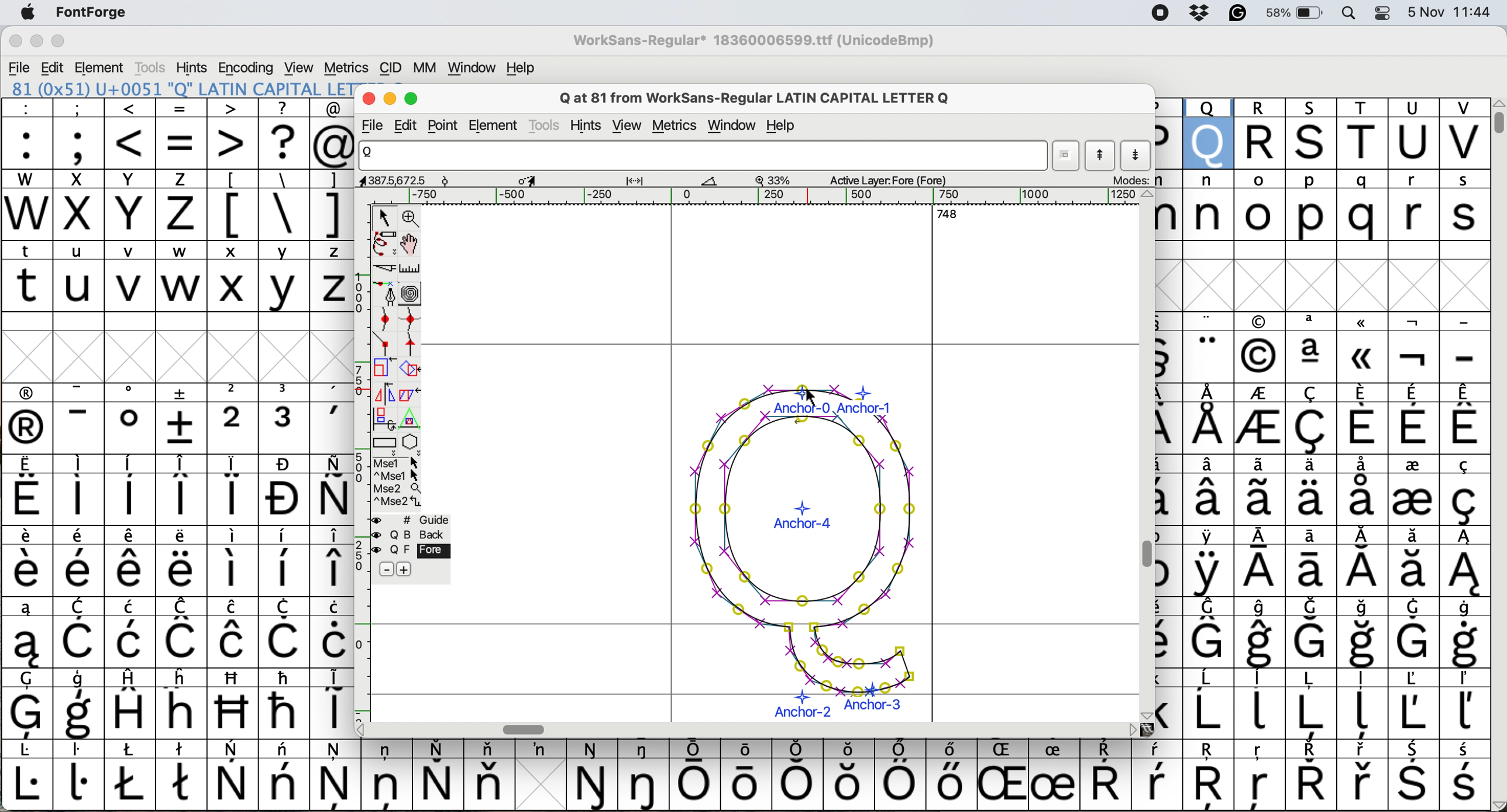 Image resolution: width=1507 pixels, height=812 pixels. What do you see at coordinates (412, 125) in the screenshot?
I see `edit` at bounding box center [412, 125].